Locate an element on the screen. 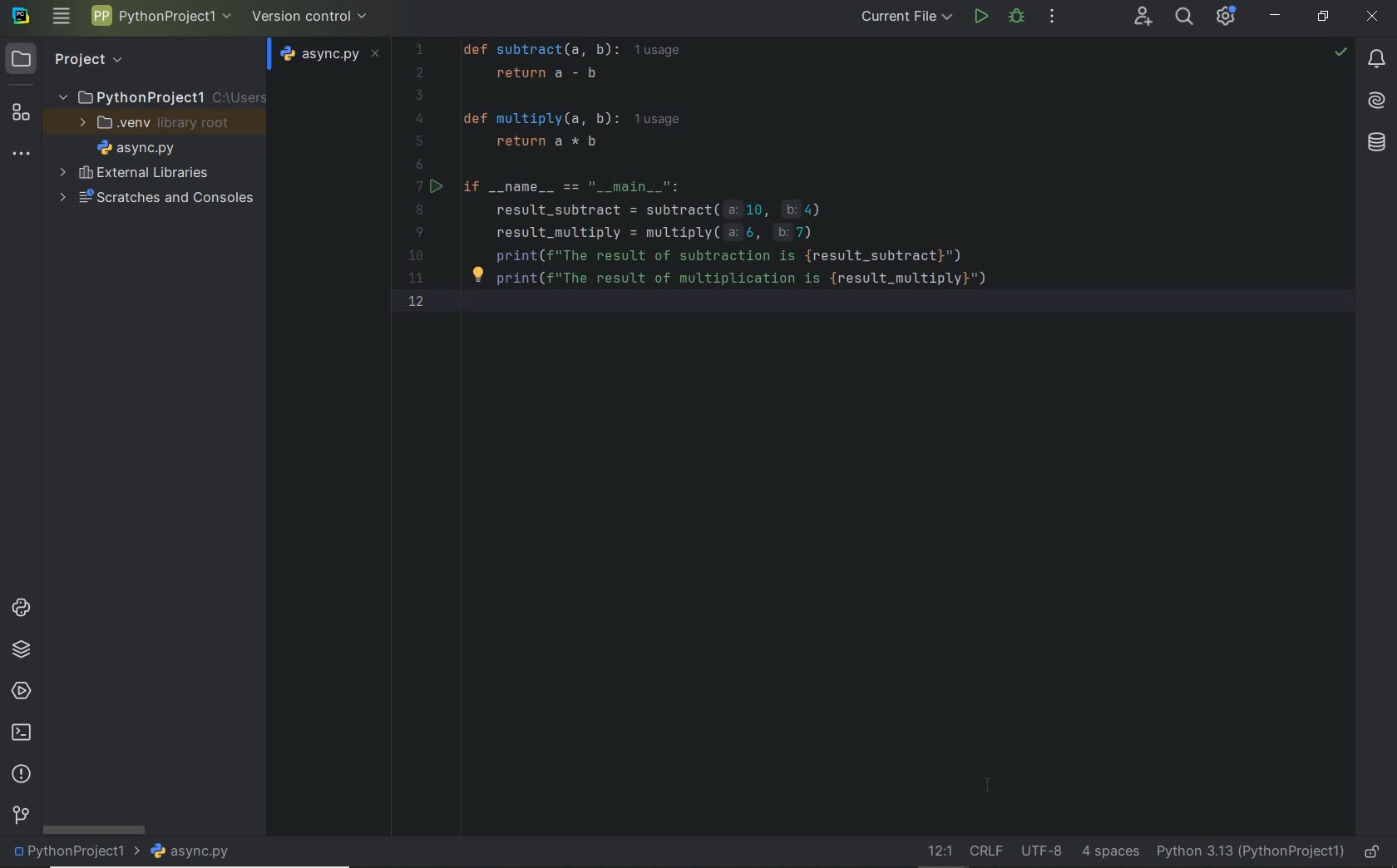 This screenshot has height=868, width=1397. Cursor Position AFTER_LAST_ACTION is located at coordinates (990, 786).